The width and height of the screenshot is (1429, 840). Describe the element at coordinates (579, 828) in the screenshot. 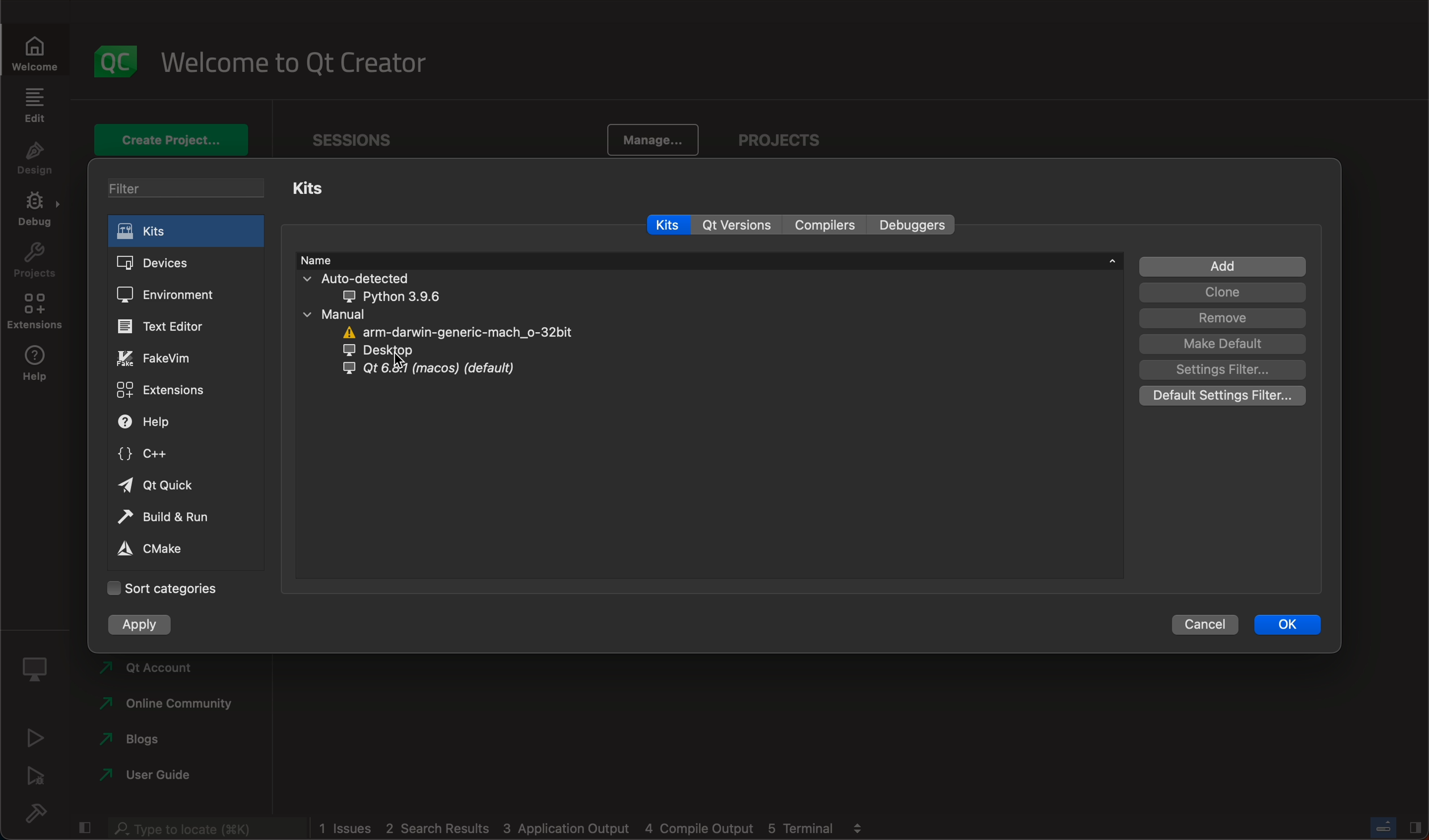

I see `1 issues 2 search results 3 application output 4 compile output 5 terminal` at that location.